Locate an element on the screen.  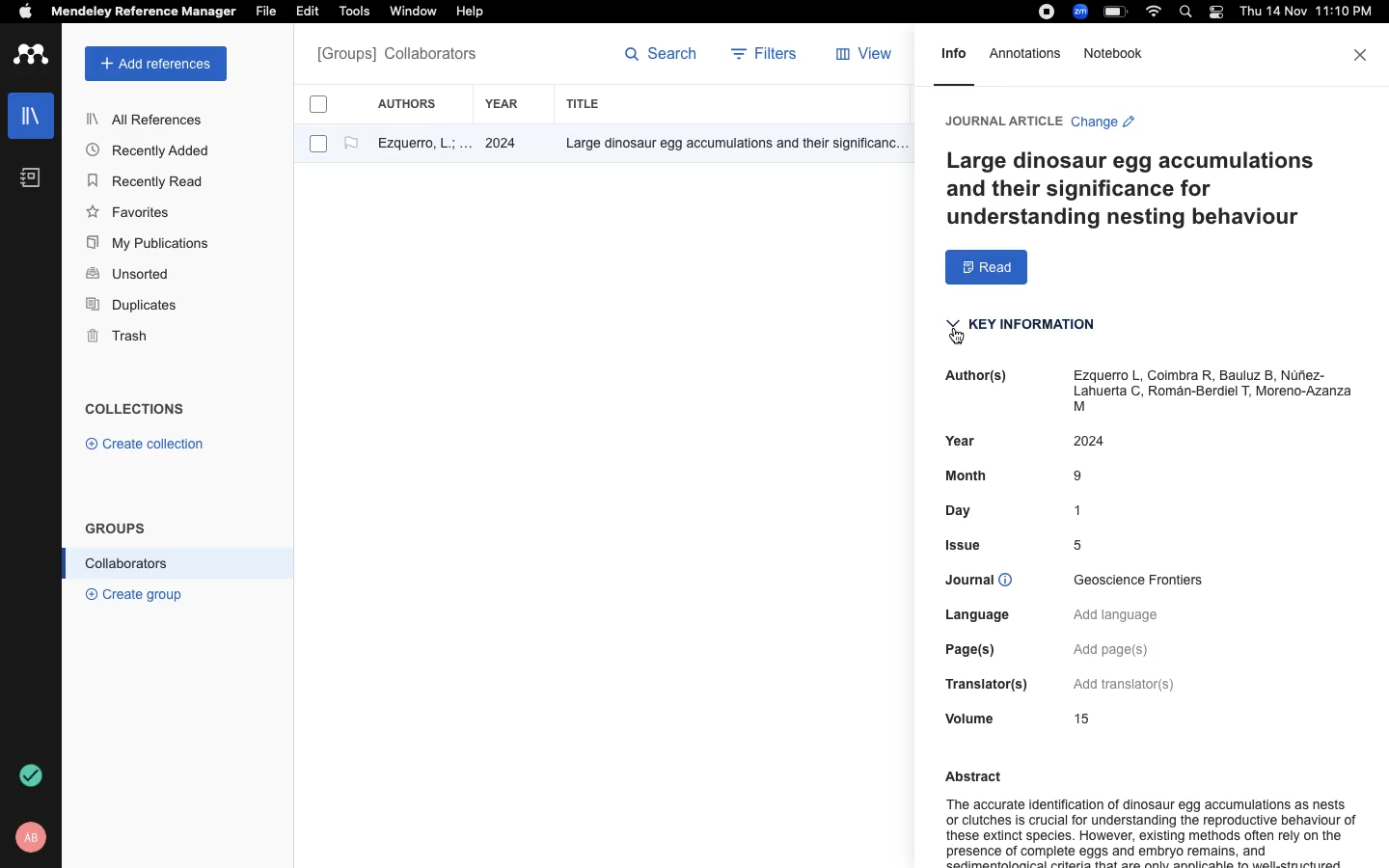
Recently Read is located at coordinates (148, 181).